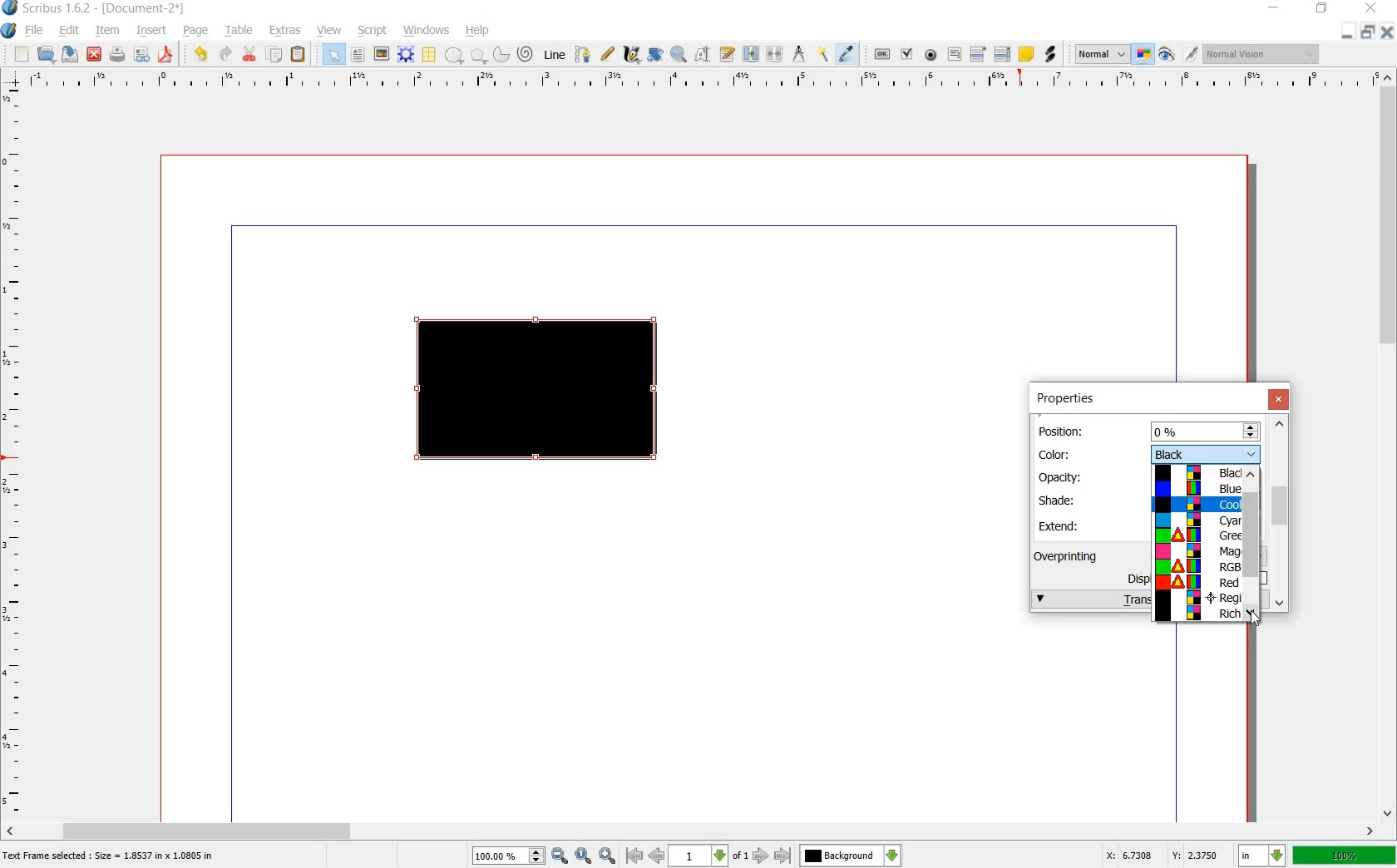  What do you see at coordinates (152, 32) in the screenshot?
I see `insert` at bounding box center [152, 32].